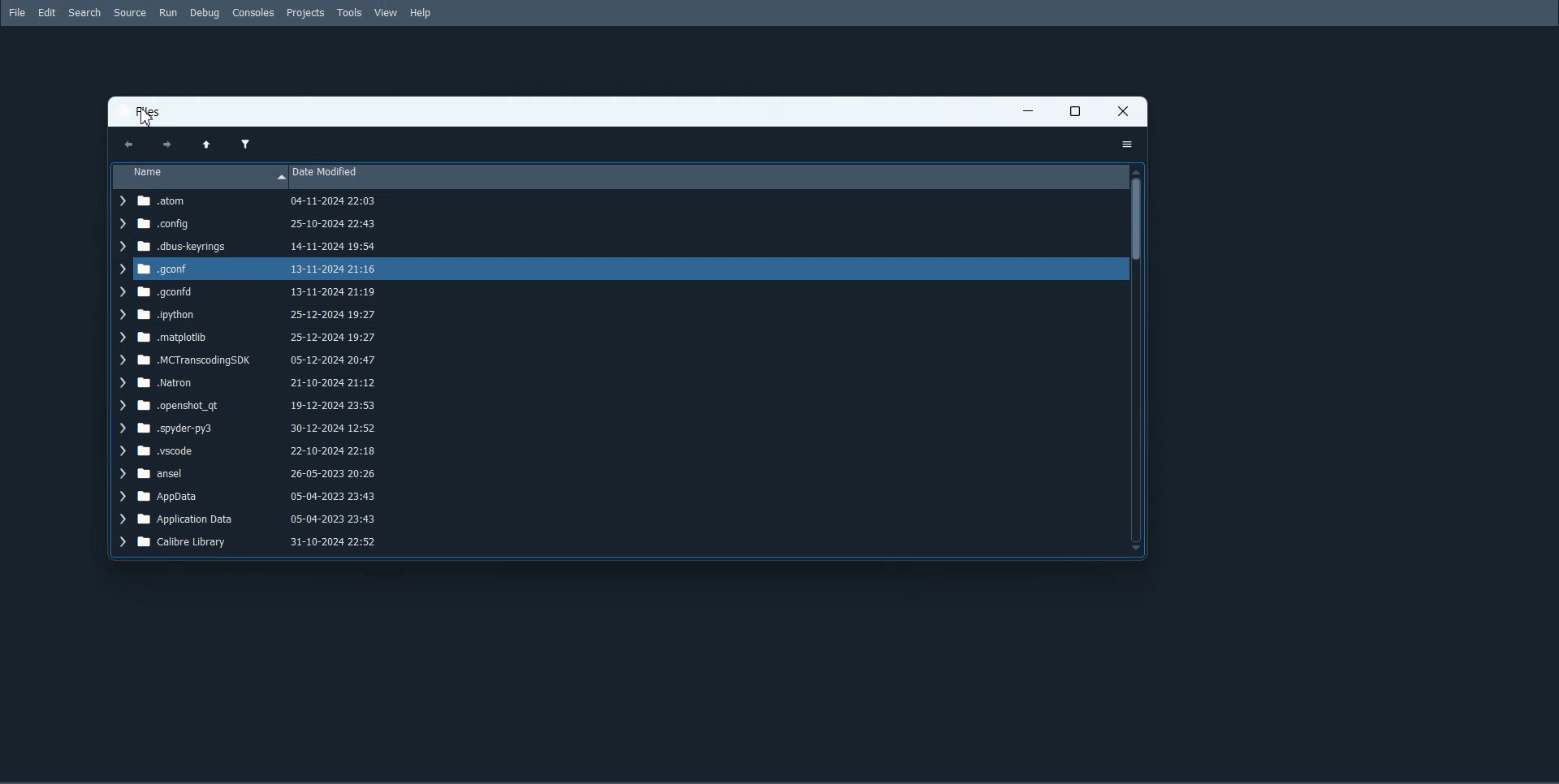 Image resolution: width=1559 pixels, height=784 pixels. I want to click on Vertical scroll bar, so click(1138, 358).